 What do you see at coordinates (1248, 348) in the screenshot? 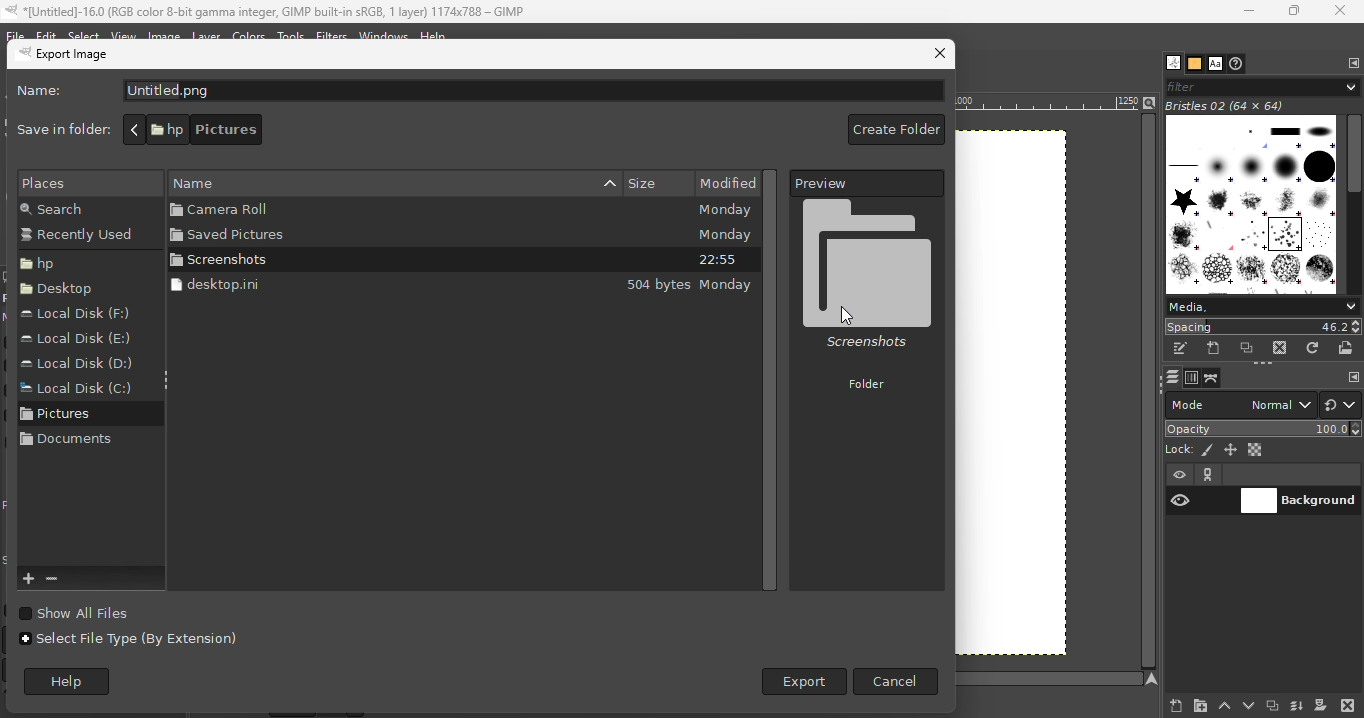
I see `Duplicate this brush` at bounding box center [1248, 348].